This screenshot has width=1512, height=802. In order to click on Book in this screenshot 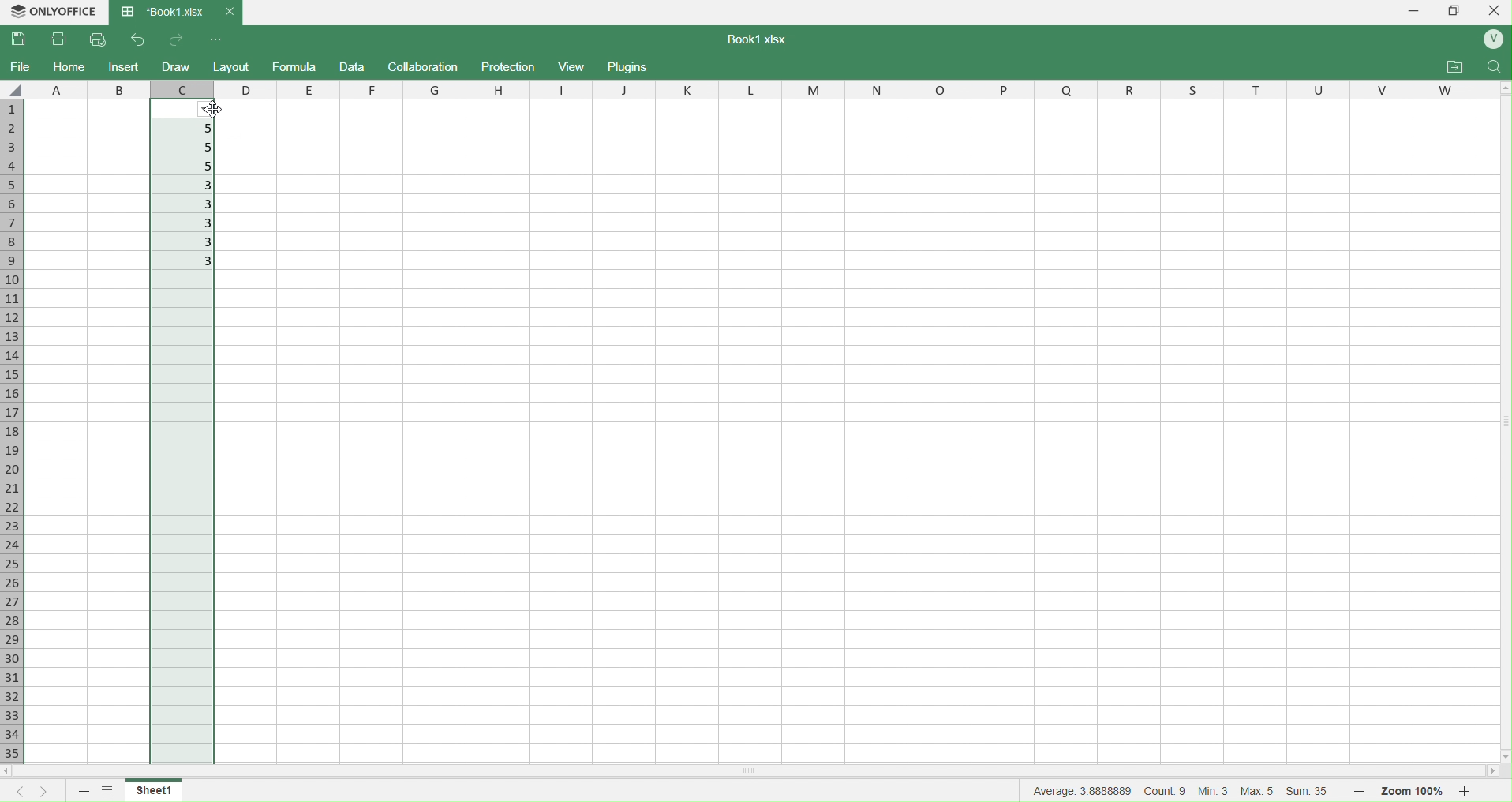, I will do `click(174, 13)`.